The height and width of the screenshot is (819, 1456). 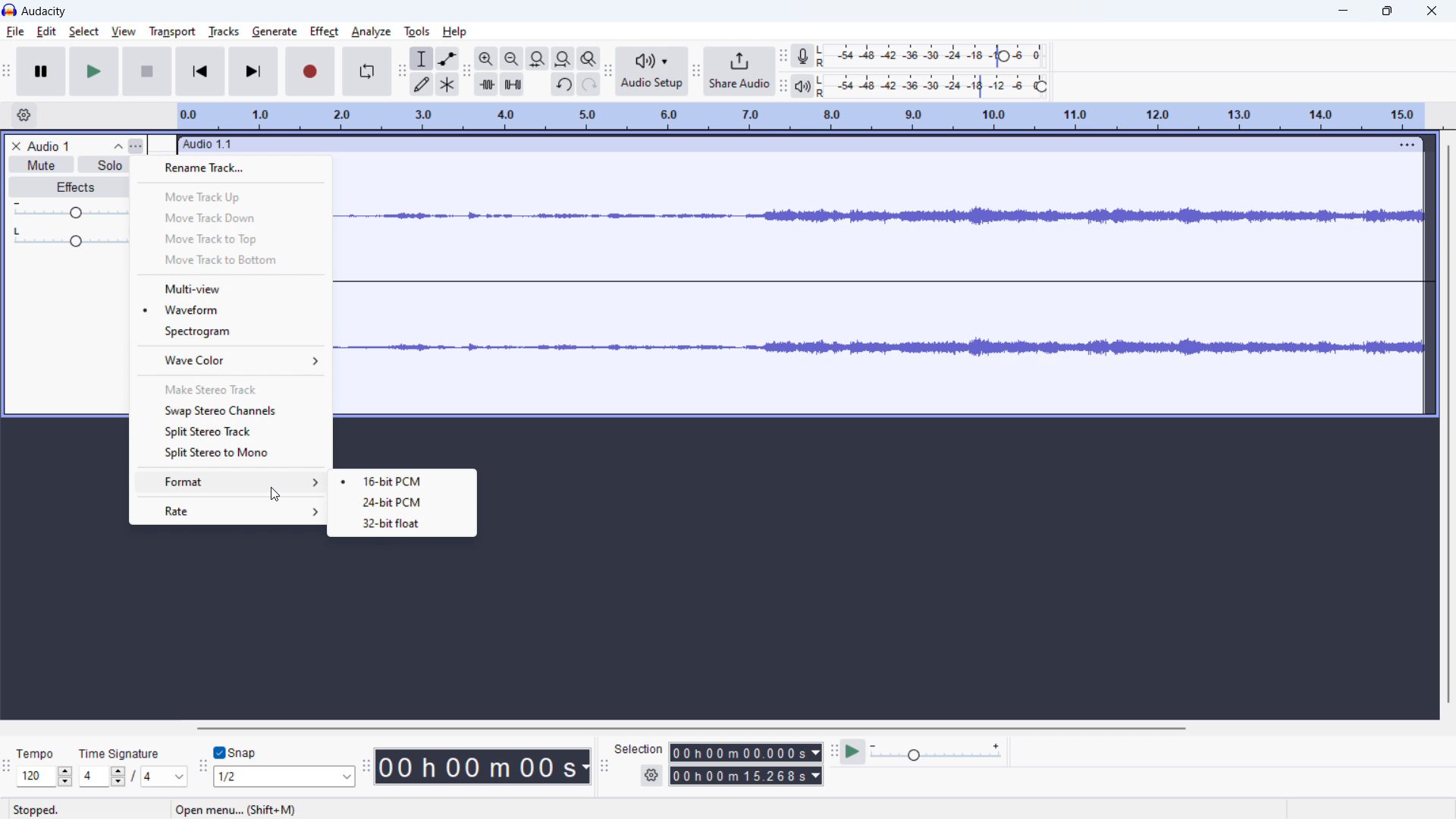 What do you see at coordinates (782, 144) in the screenshot?
I see `hold to move` at bounding box center [782, 144].